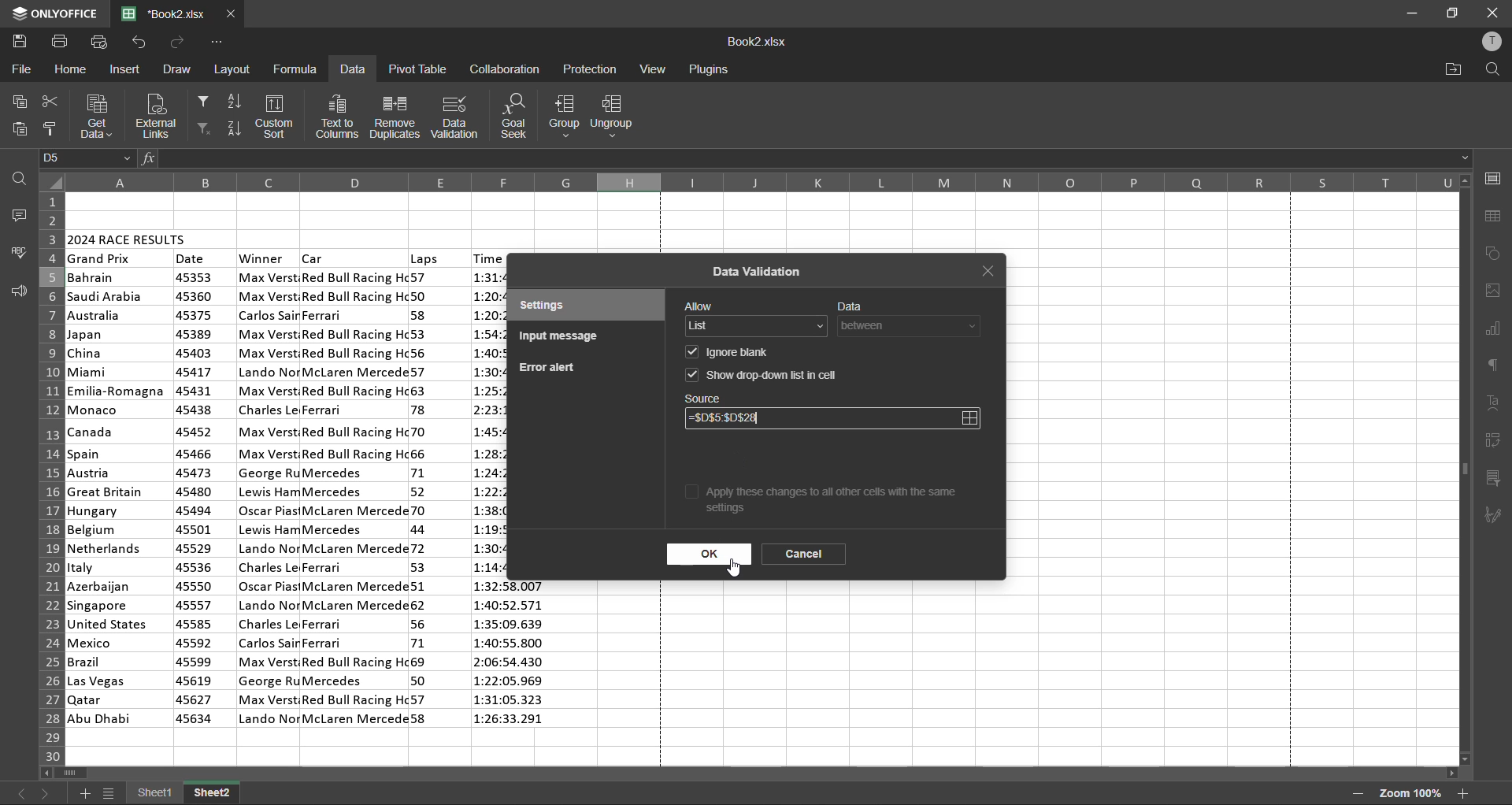 The width and height of the screenshot is (1512, 805). Describe the element at coordinates (1488, 69) in the screenshot. I see `find` at that location.